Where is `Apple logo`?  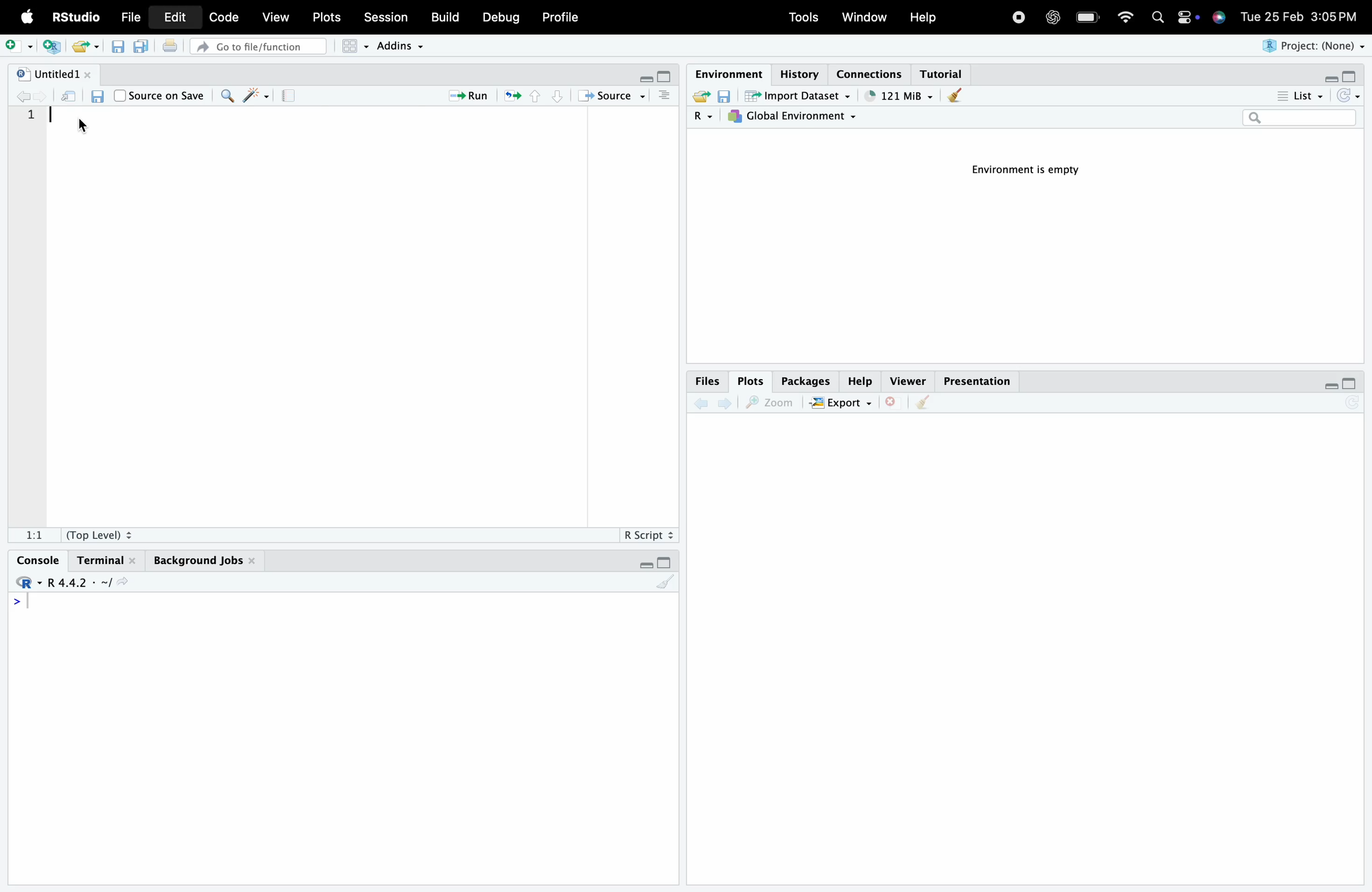 Apple logo is located at coordinates (25, 17).